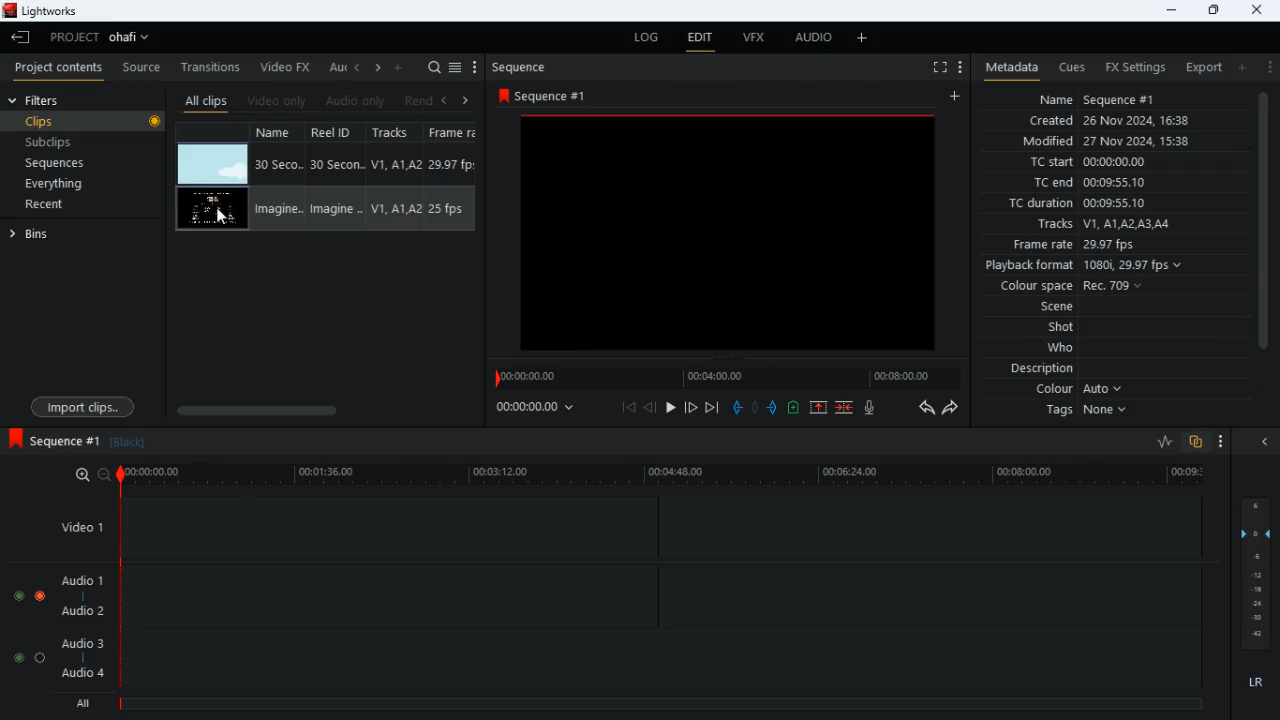 This screenshot has width=1280, height=720. I want to click on videos, so click(211, 207).